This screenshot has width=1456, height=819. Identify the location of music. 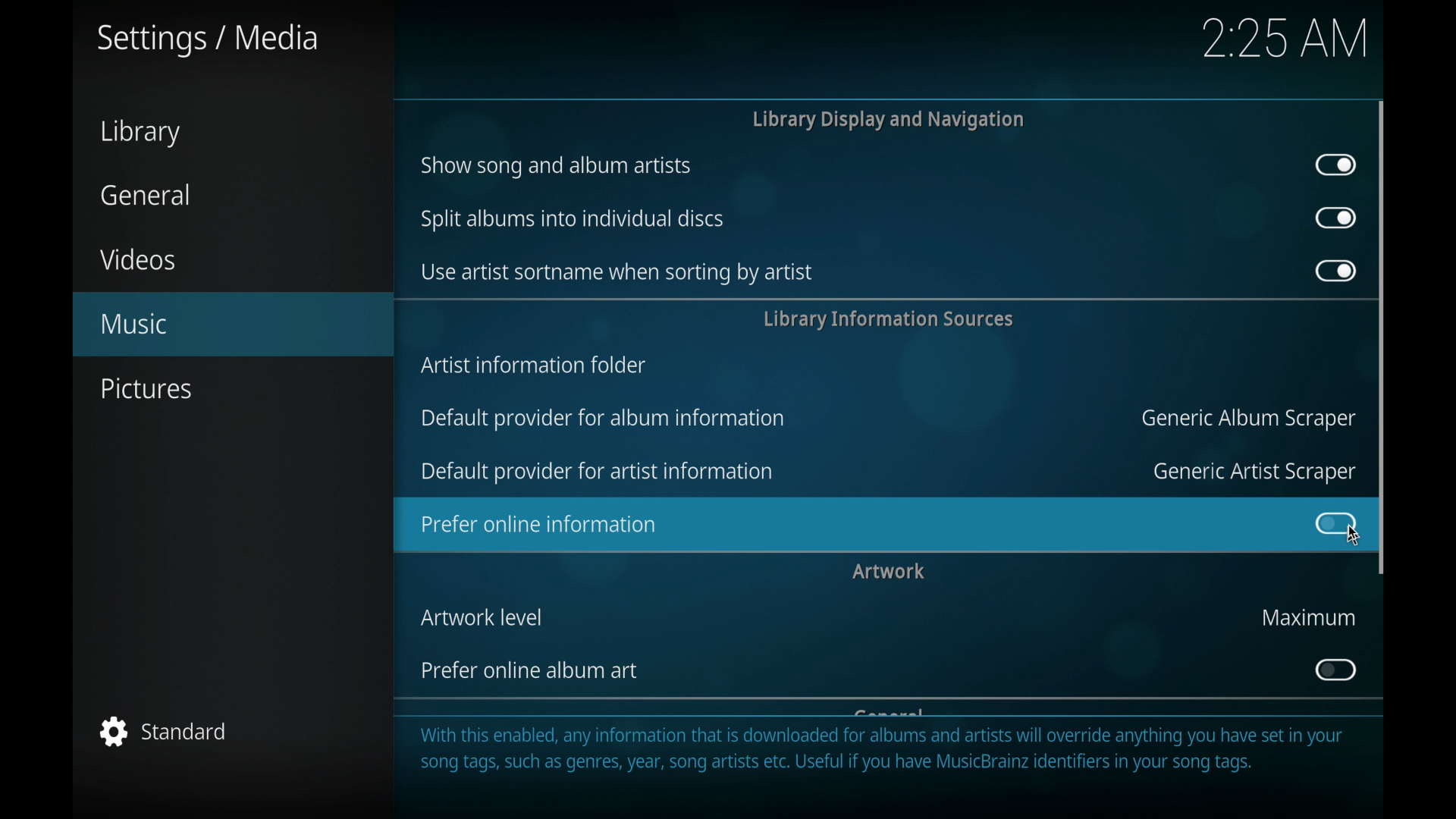
(233, 325).